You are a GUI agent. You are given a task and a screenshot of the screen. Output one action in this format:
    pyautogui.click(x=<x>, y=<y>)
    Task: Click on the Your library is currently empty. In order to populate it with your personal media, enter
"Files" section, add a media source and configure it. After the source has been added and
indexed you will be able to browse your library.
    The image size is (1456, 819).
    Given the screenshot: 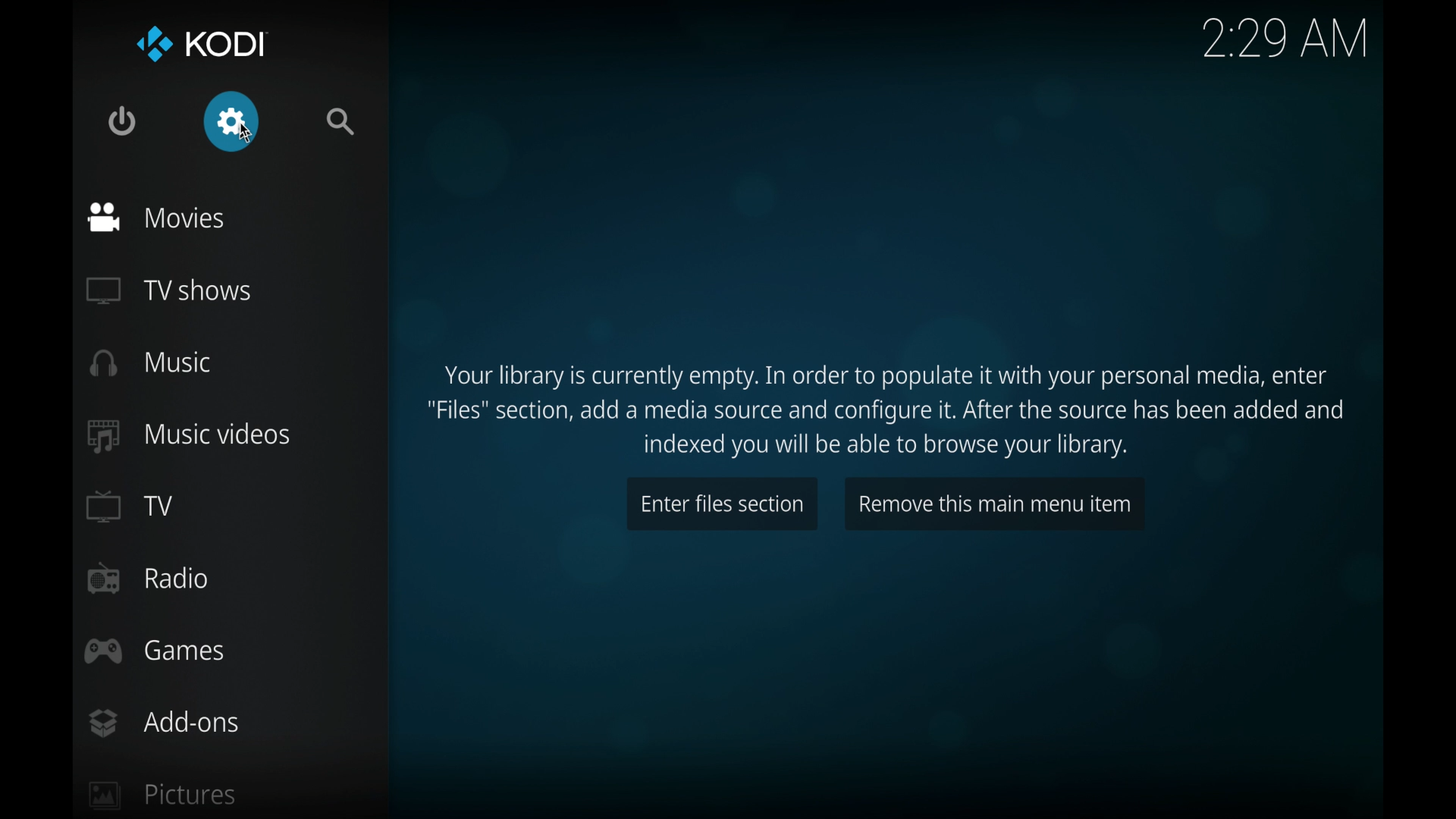 What is the action you would take?
    pyautogui.click(x=889, y=405)
    